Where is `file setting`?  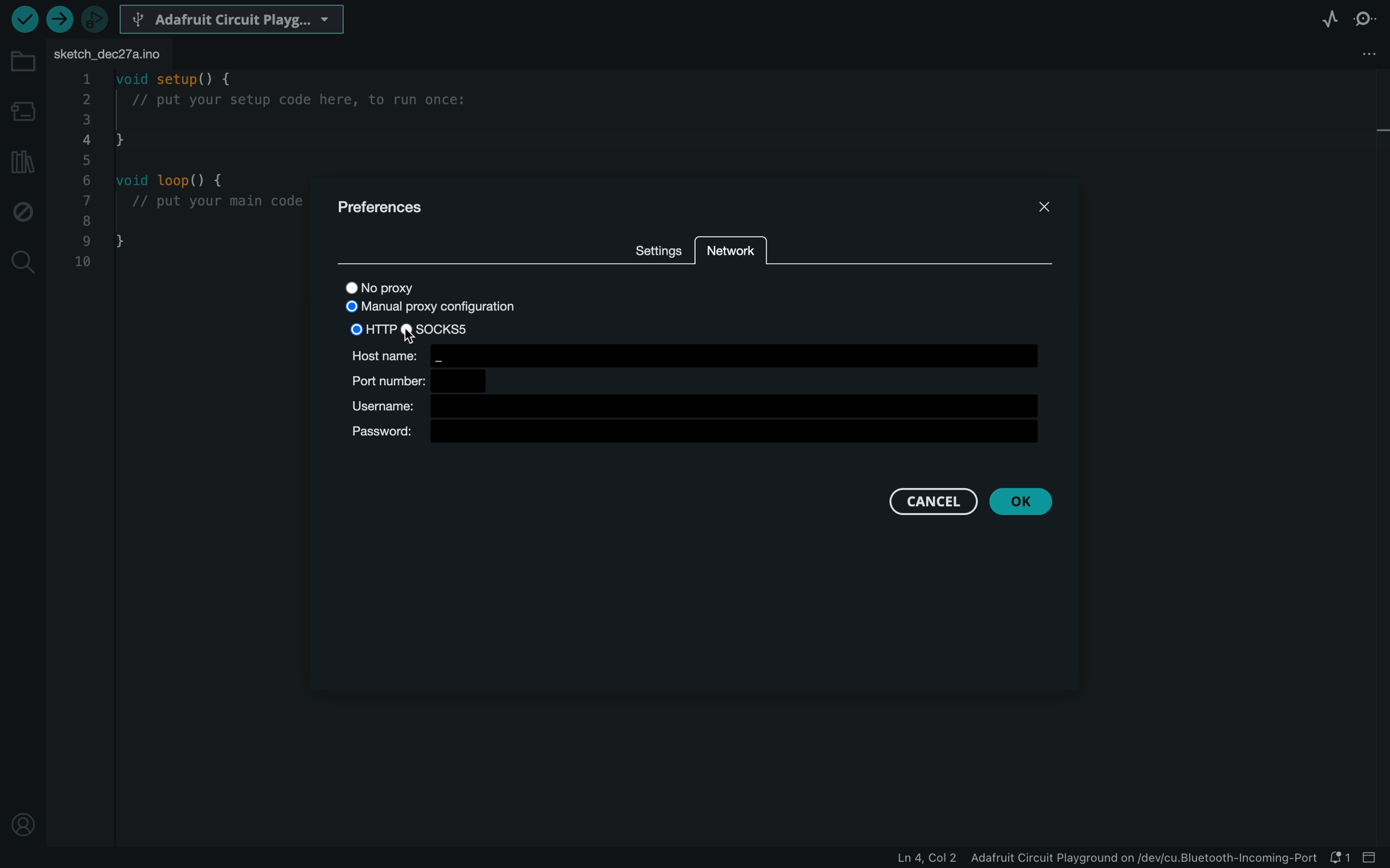
file setting is located at coordinates (1351, 54).